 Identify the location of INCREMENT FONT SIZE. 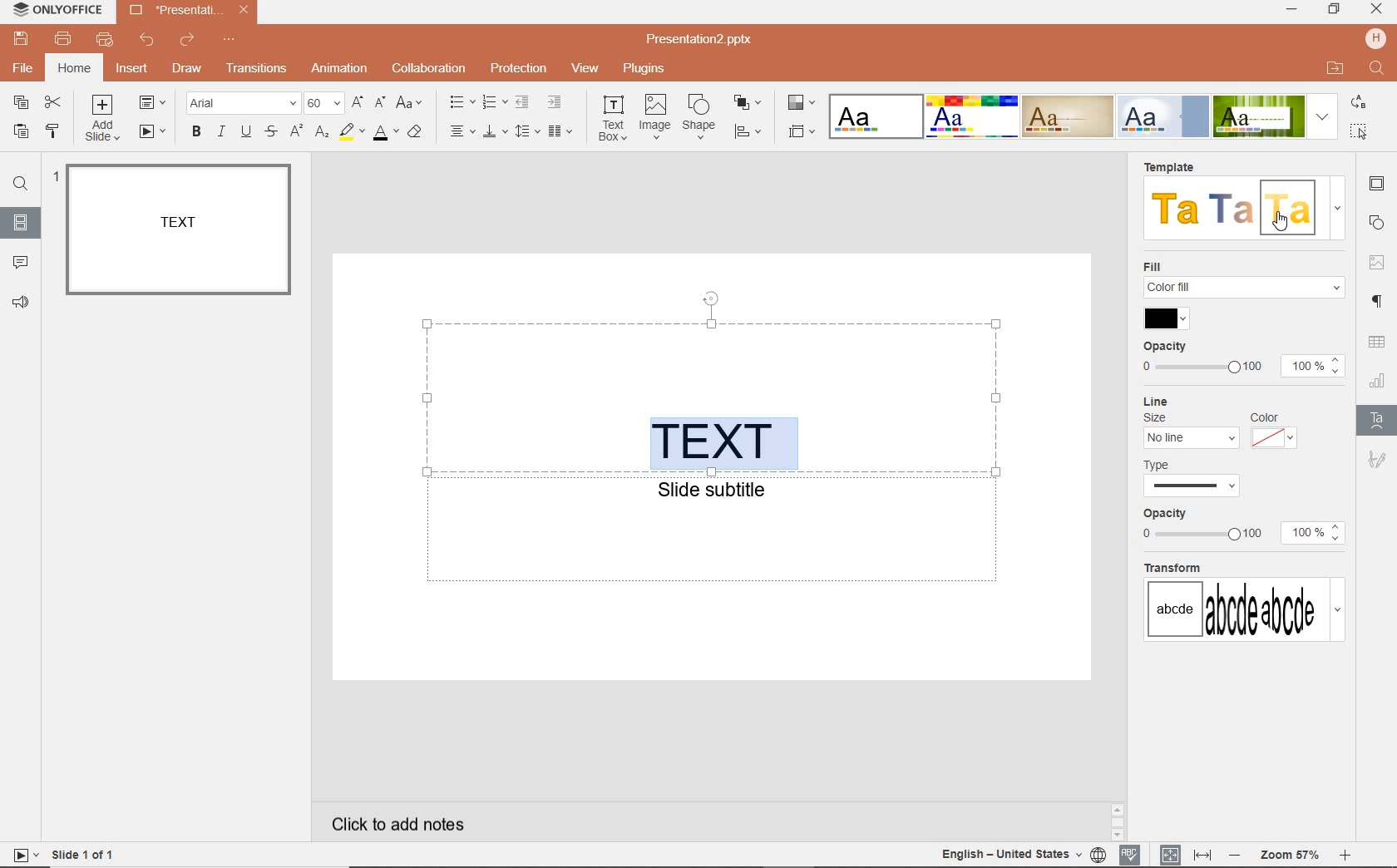
(358, 103).